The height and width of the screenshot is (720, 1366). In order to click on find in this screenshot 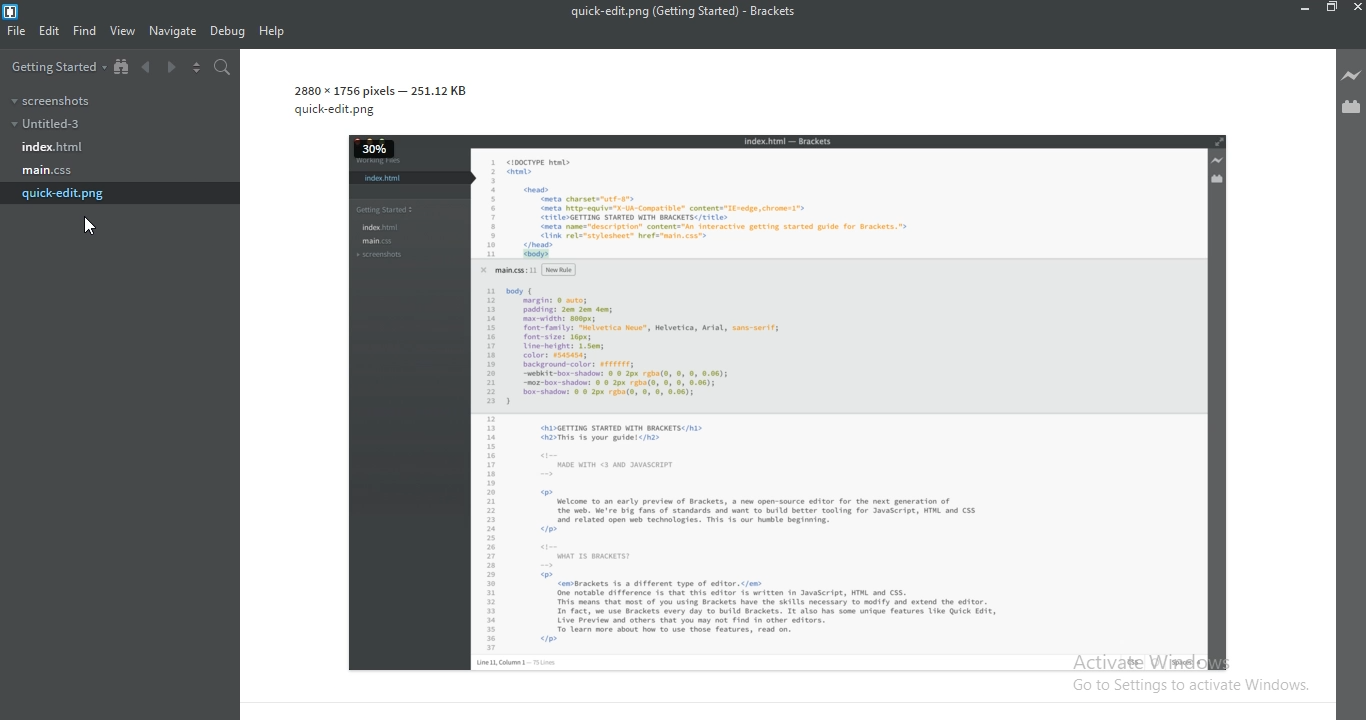, I will do `click(83, 31)`.